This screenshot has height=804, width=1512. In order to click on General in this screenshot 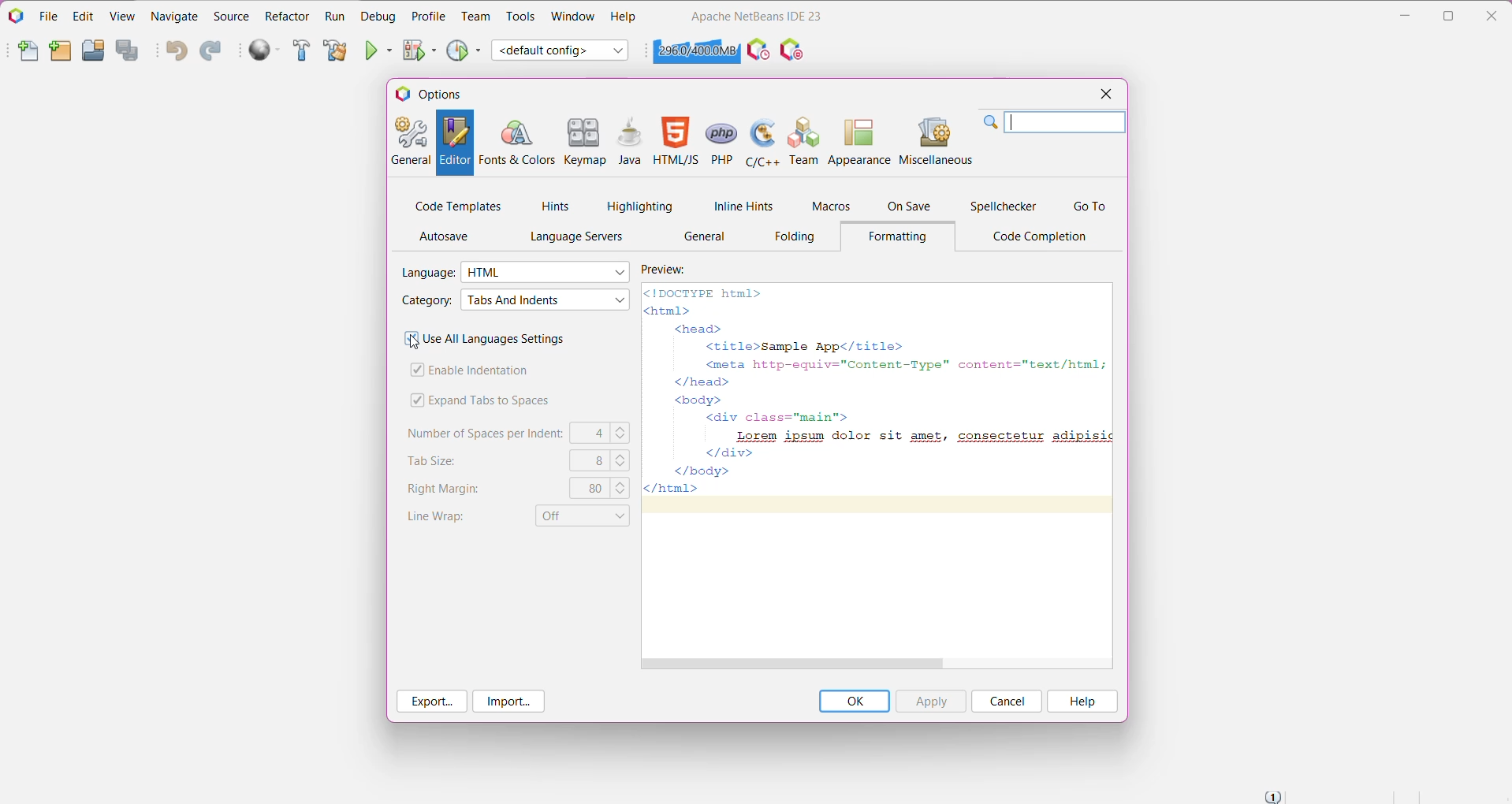, I will do `click(706, 238)`.